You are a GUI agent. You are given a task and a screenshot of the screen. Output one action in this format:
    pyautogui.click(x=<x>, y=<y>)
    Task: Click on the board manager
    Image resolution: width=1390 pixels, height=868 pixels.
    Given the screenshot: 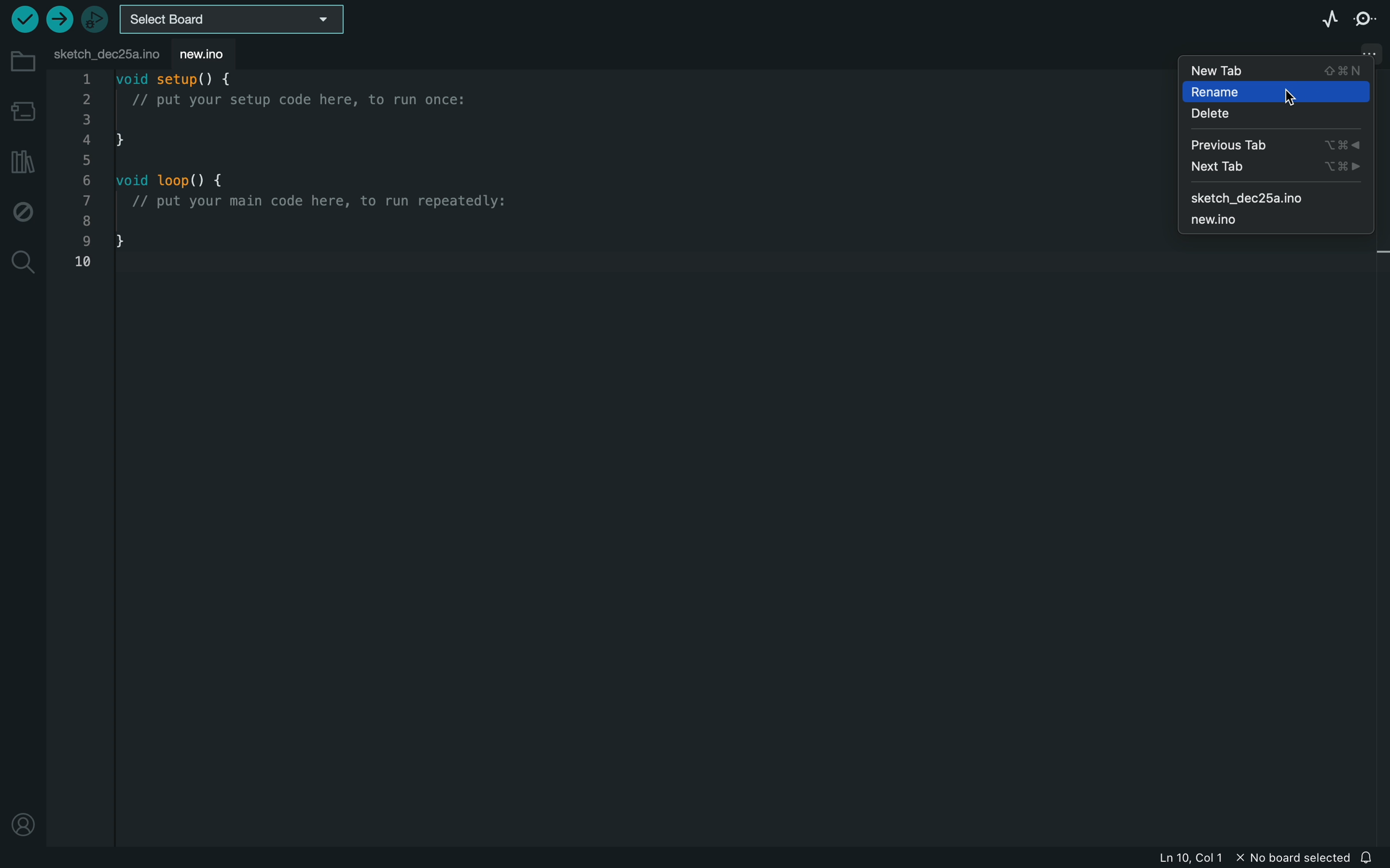 What is the action you would take?
    pyautogui.click(x=23, y=108)
    